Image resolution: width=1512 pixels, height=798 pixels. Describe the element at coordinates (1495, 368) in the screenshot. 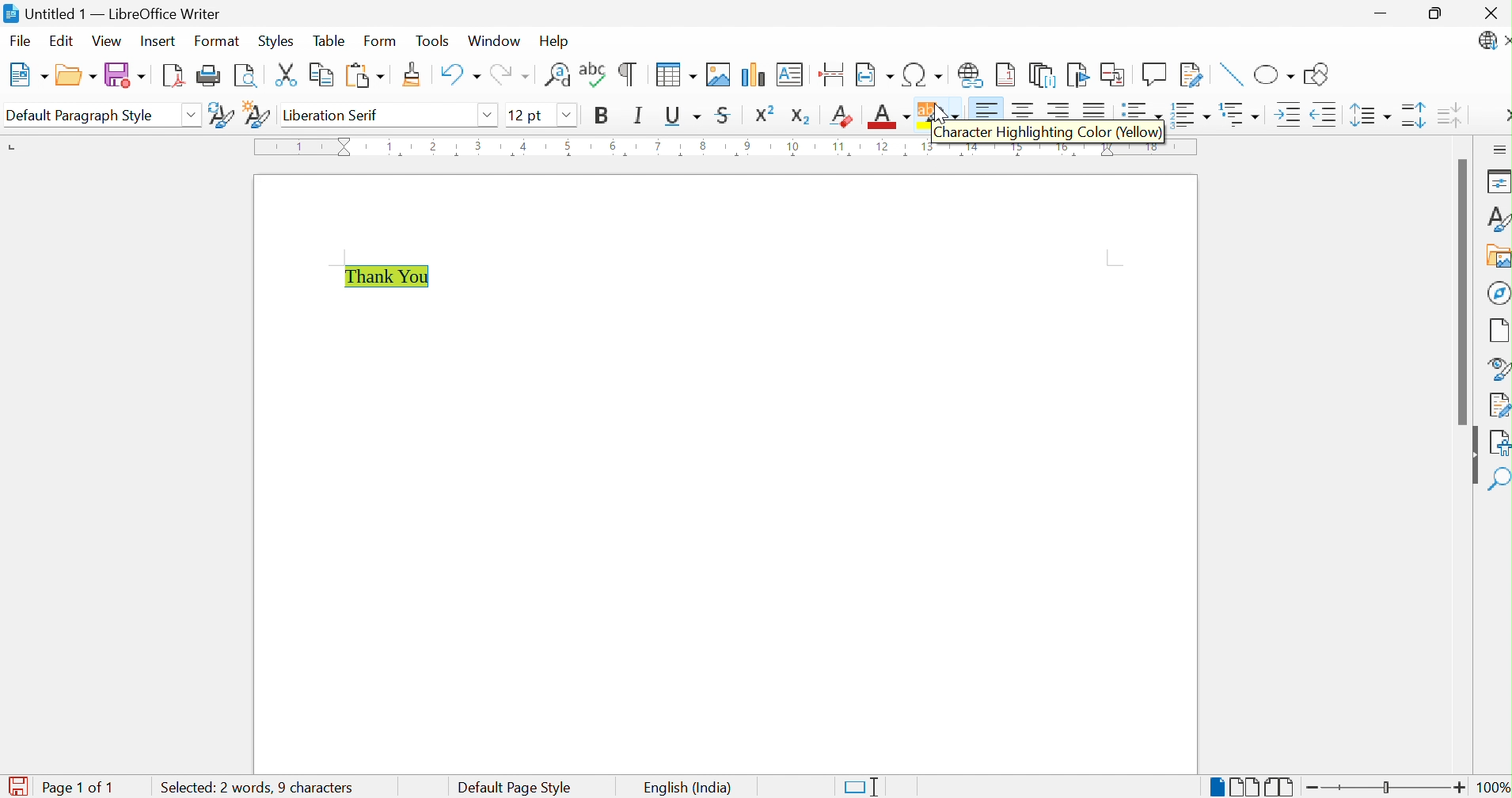

I see `Style Navigator` at that location.